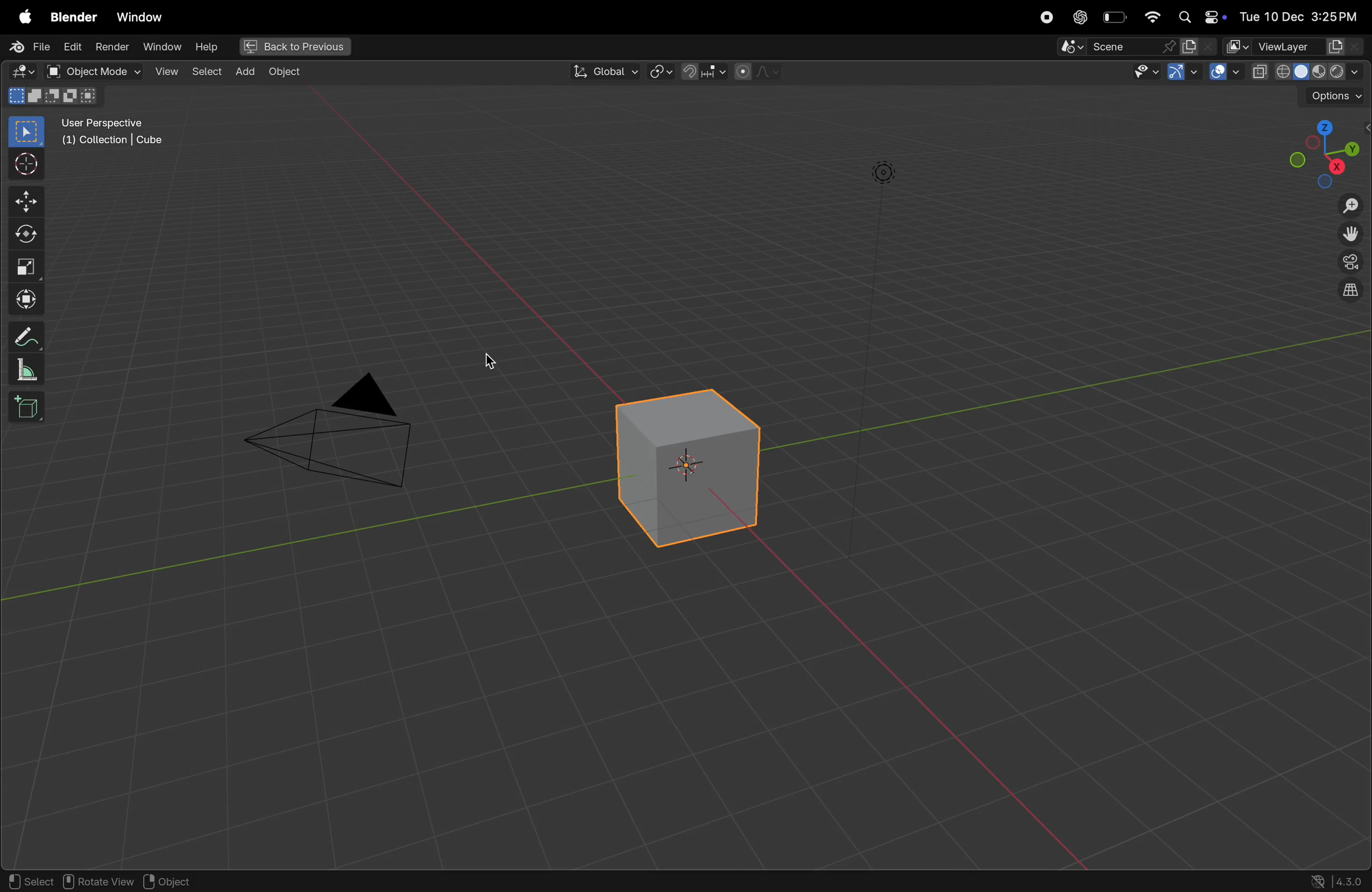  What do you see at coordinates (165, 70) in the screenshot?
I see `View` at bounding box center [165, 70].